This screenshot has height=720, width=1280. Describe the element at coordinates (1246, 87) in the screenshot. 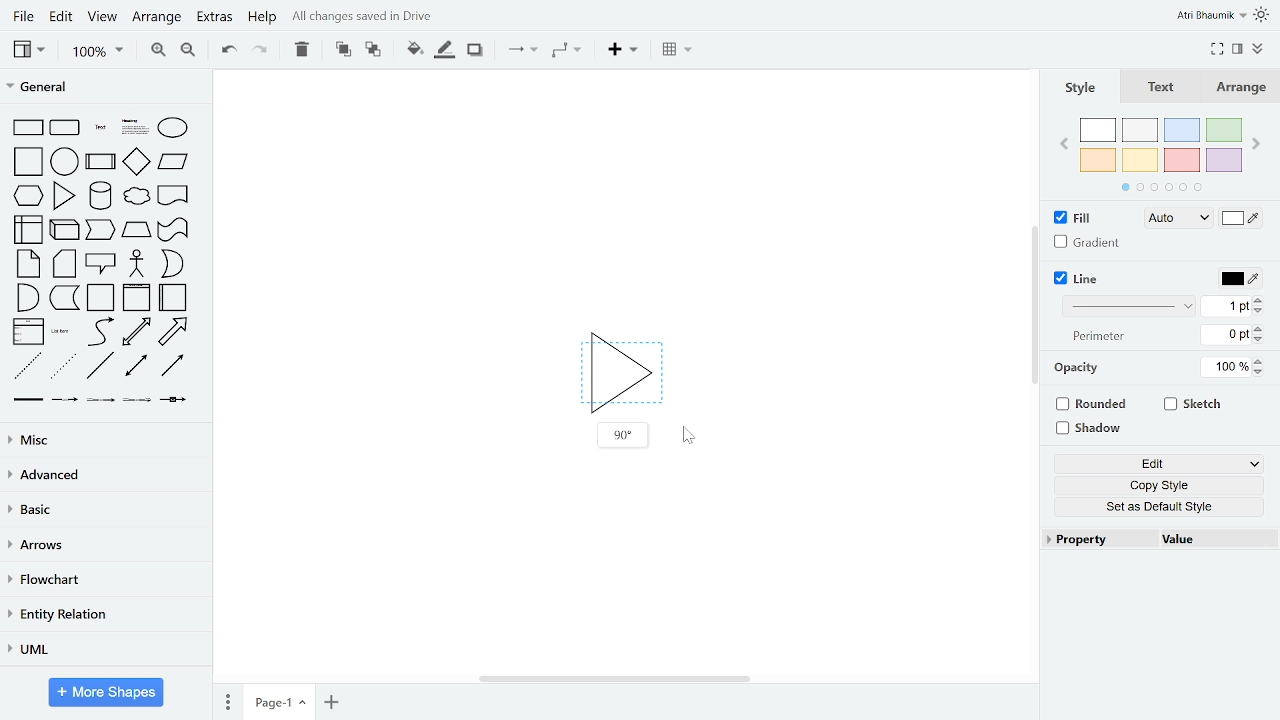

I see `arrange` at that location.